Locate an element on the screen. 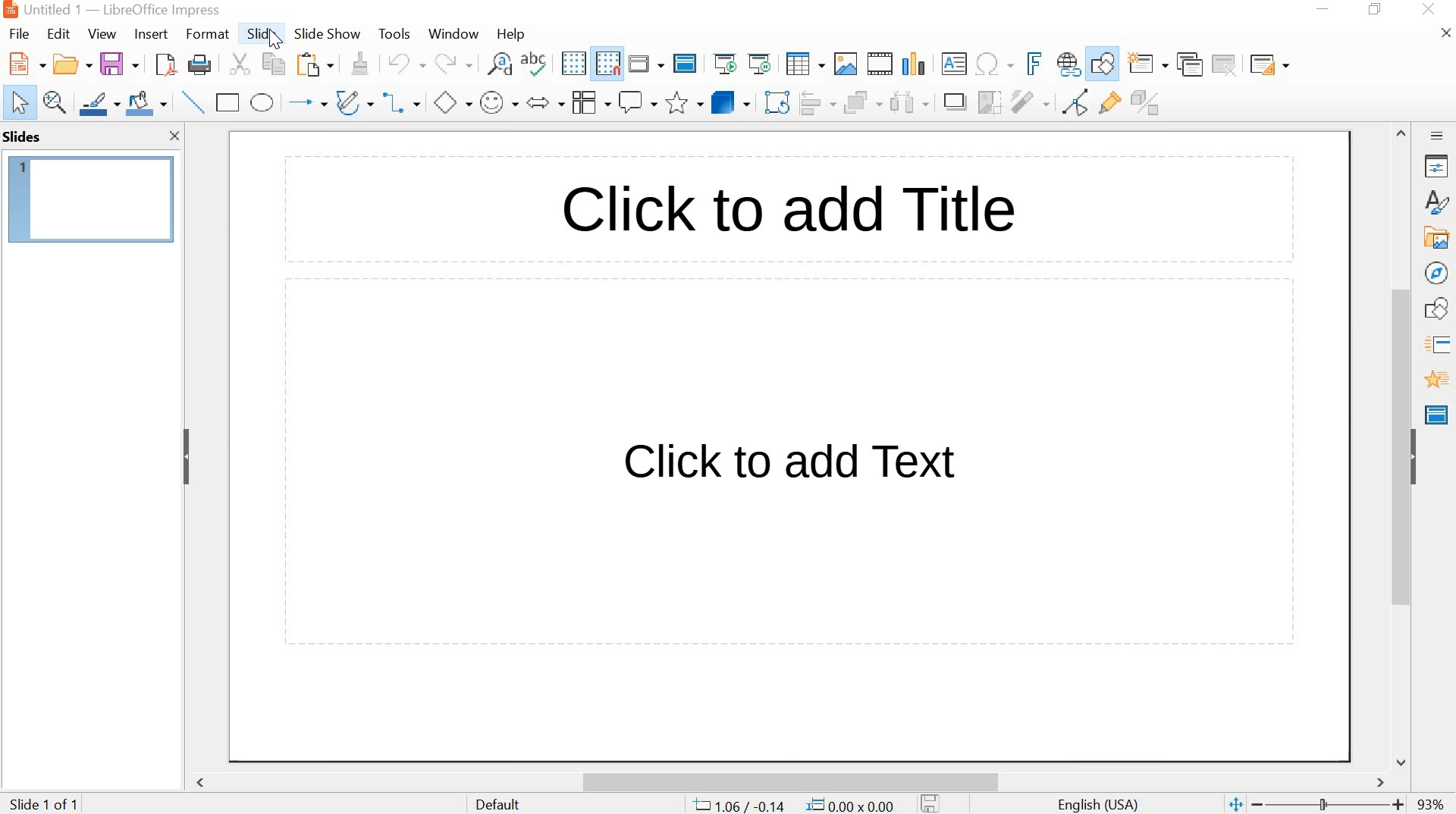 This screenshot has width=1456, height=814. Click to add Text is located at coordinates (799, 464).